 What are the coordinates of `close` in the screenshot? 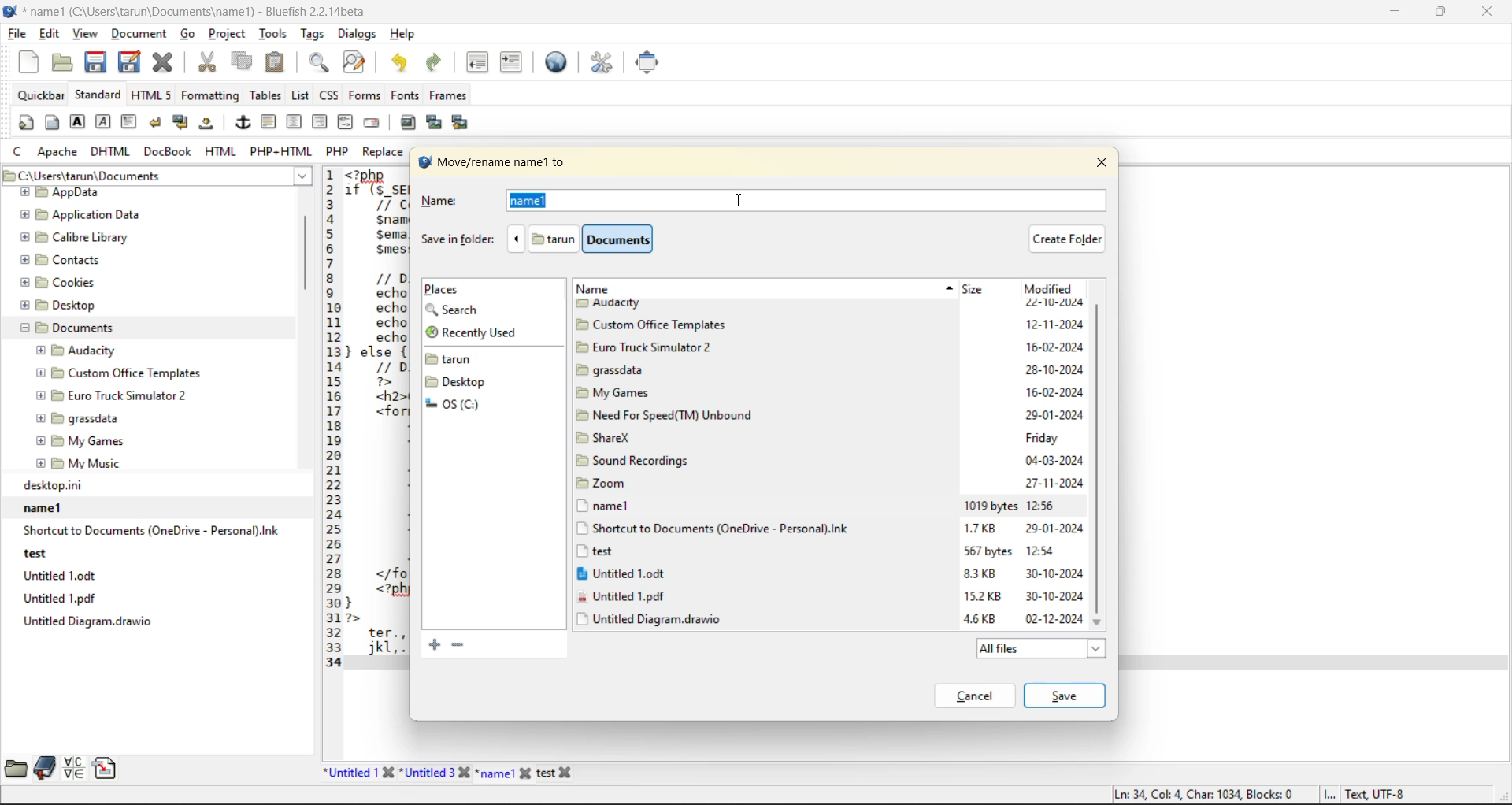 It's located at (1488, 14).